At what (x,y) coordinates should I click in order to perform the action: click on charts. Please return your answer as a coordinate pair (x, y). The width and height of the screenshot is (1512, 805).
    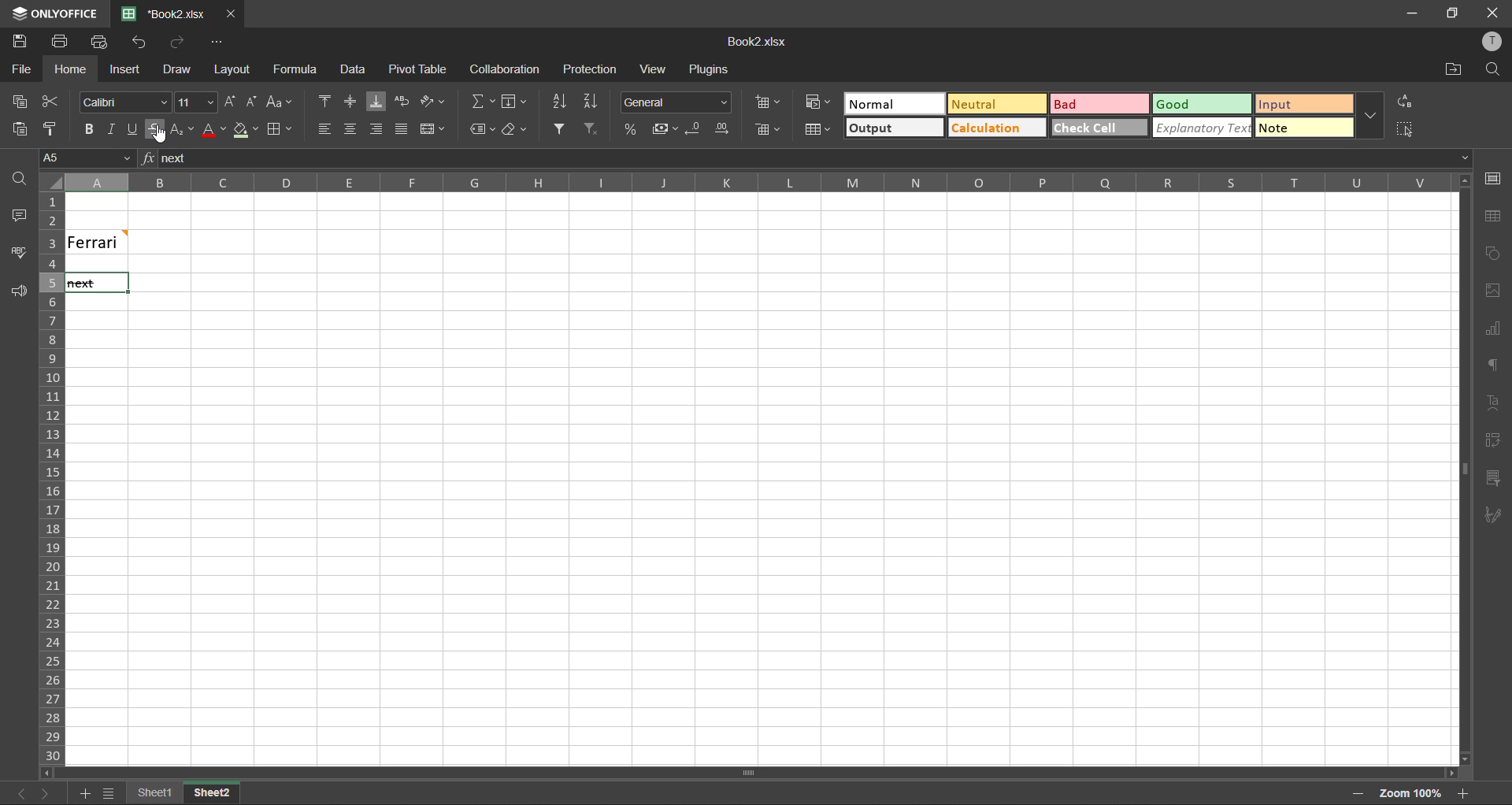
    Looking at the image, I should click on (1495, 330).